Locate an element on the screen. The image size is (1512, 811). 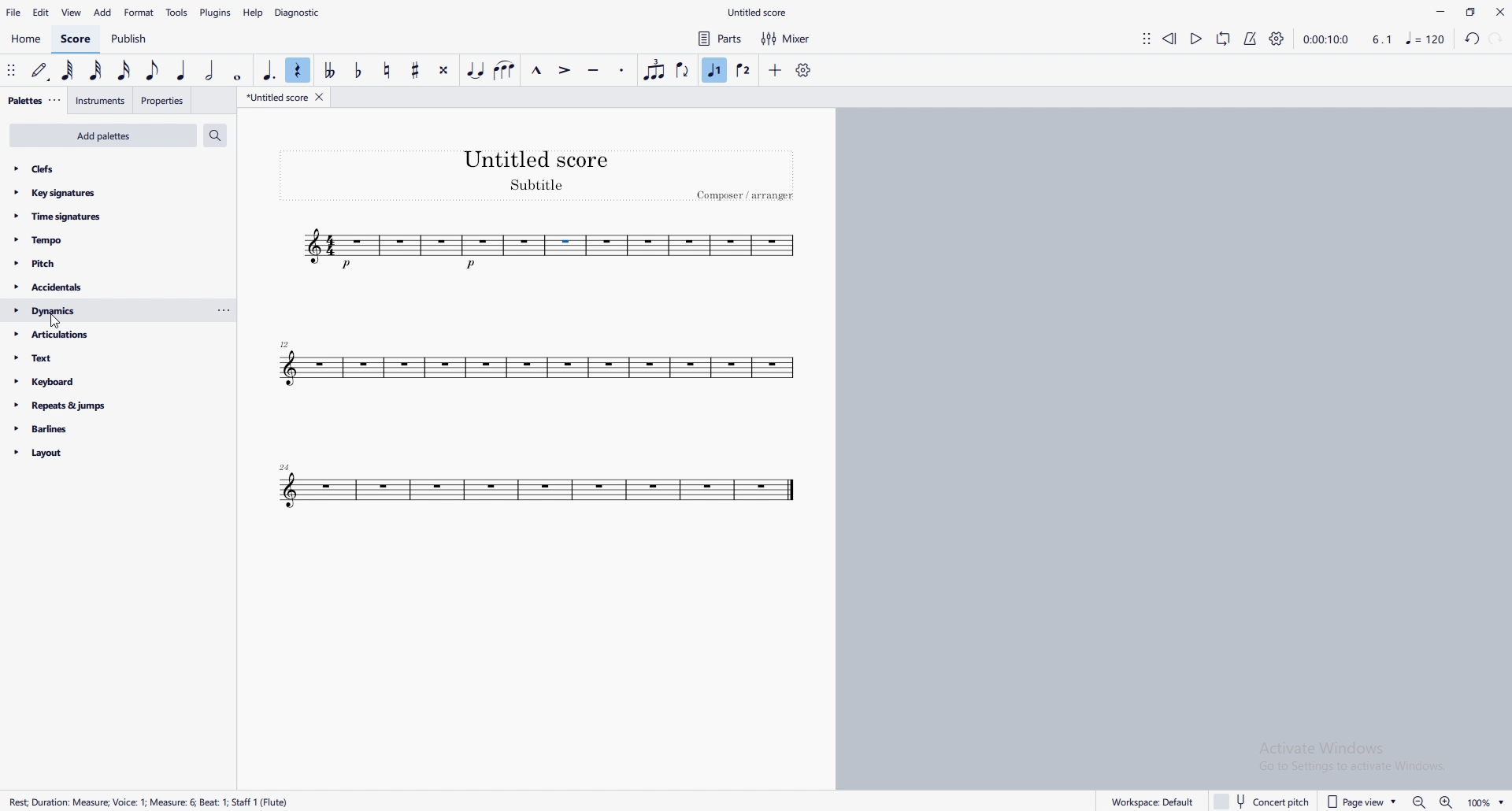
flip direction is located at coordinates (682, 71).